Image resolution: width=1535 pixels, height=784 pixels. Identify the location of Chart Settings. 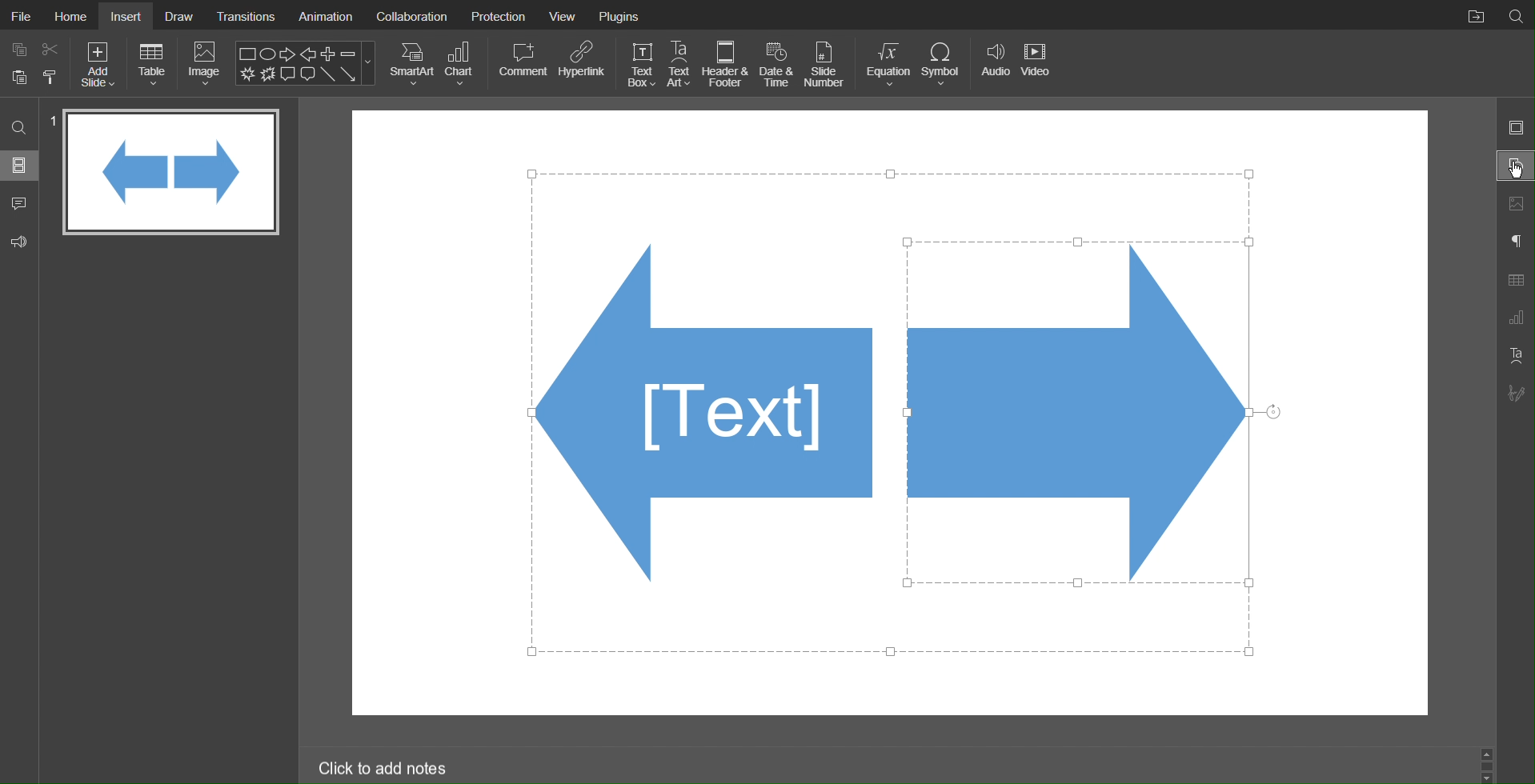
(1516, 319).